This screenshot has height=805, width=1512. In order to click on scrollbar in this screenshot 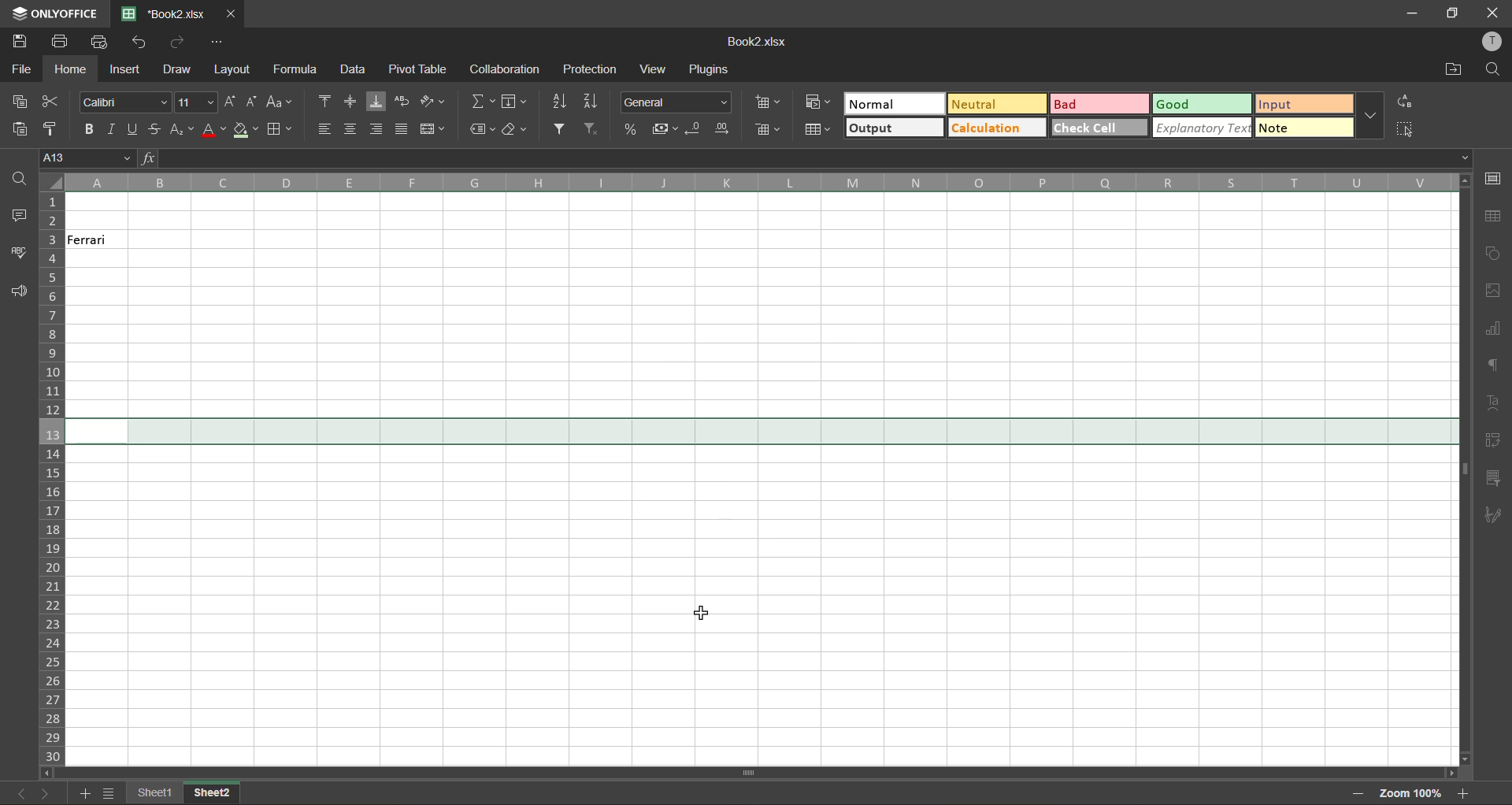, I will do `click(748, 773)`.